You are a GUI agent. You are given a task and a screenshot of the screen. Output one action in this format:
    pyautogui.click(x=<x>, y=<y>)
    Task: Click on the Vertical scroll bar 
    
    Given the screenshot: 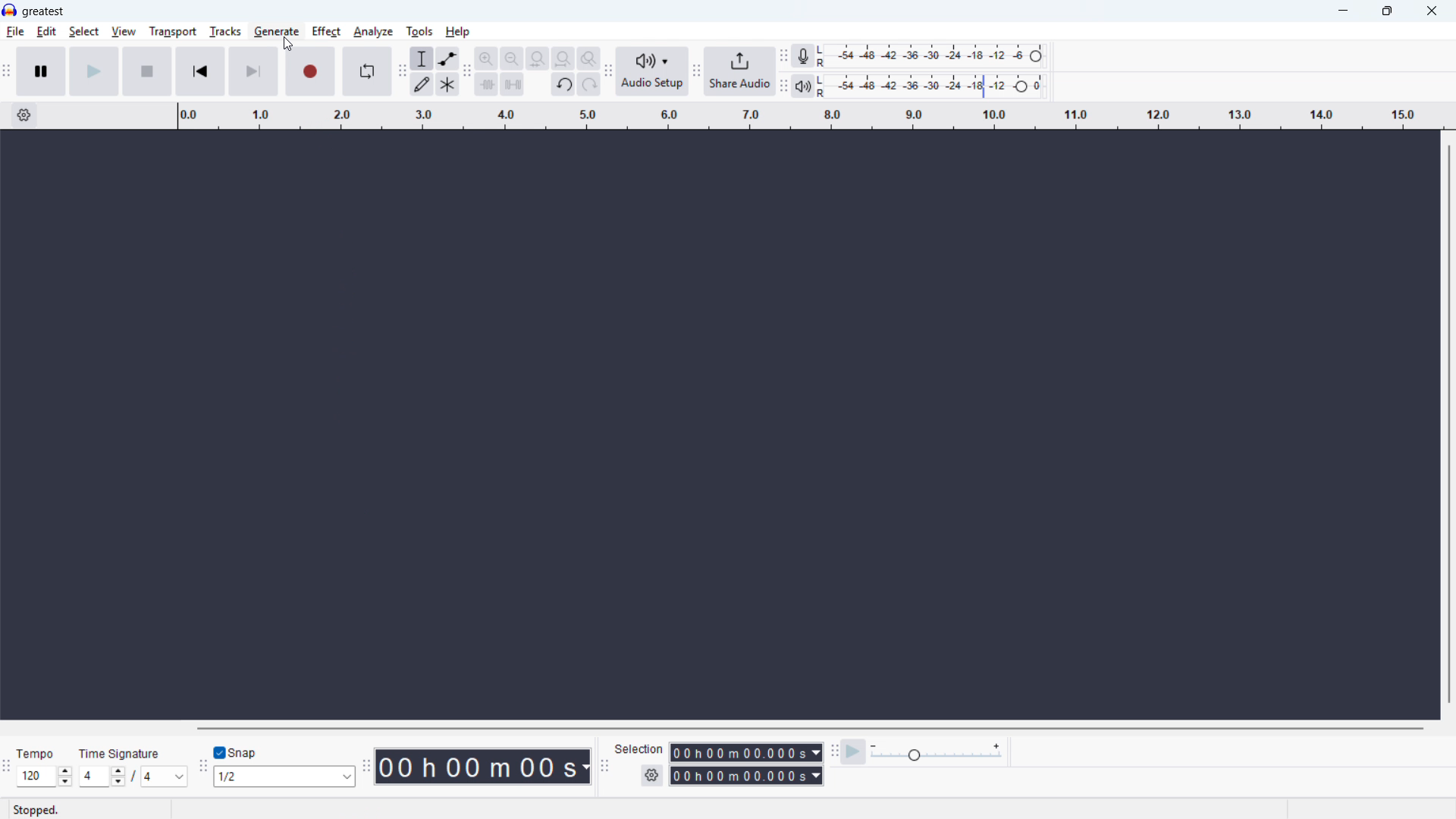 What is the action you would take?
    pyautogui.click(x=1448, y=424)
    